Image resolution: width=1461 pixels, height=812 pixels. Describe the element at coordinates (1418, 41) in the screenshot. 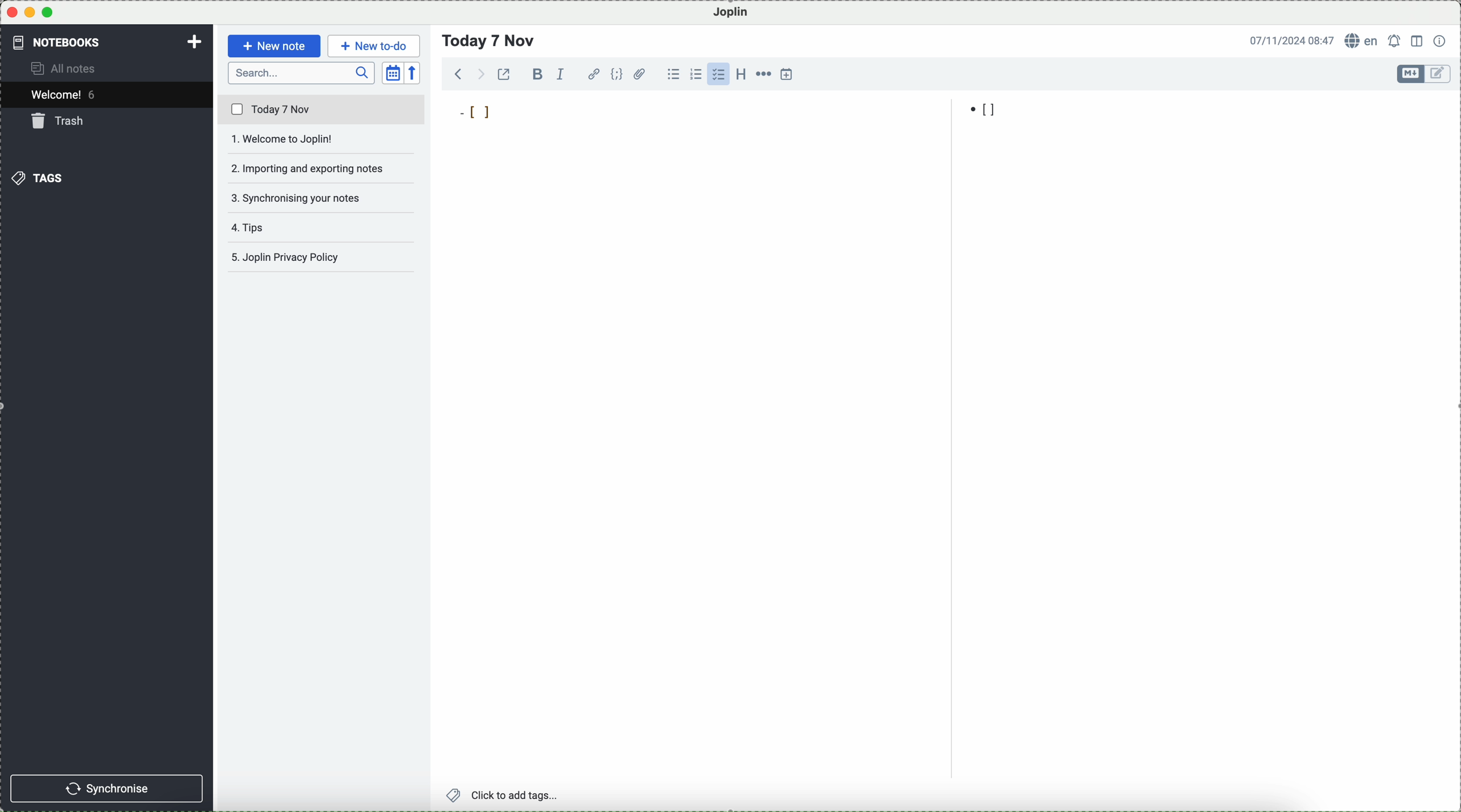

I see `toggle editor layout` at that location.